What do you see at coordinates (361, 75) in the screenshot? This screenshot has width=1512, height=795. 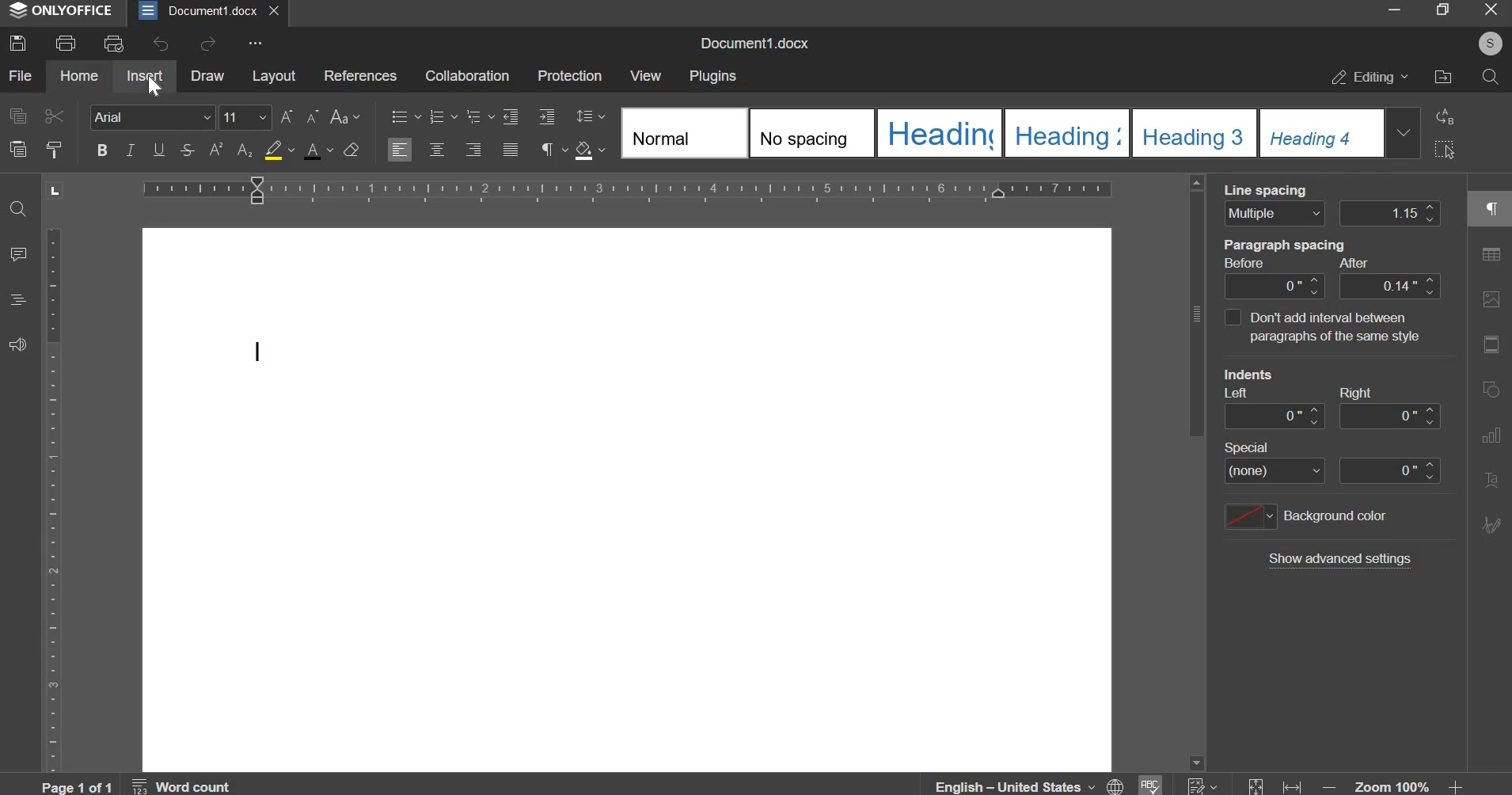 I see `references` at bounding box center [361, 75].